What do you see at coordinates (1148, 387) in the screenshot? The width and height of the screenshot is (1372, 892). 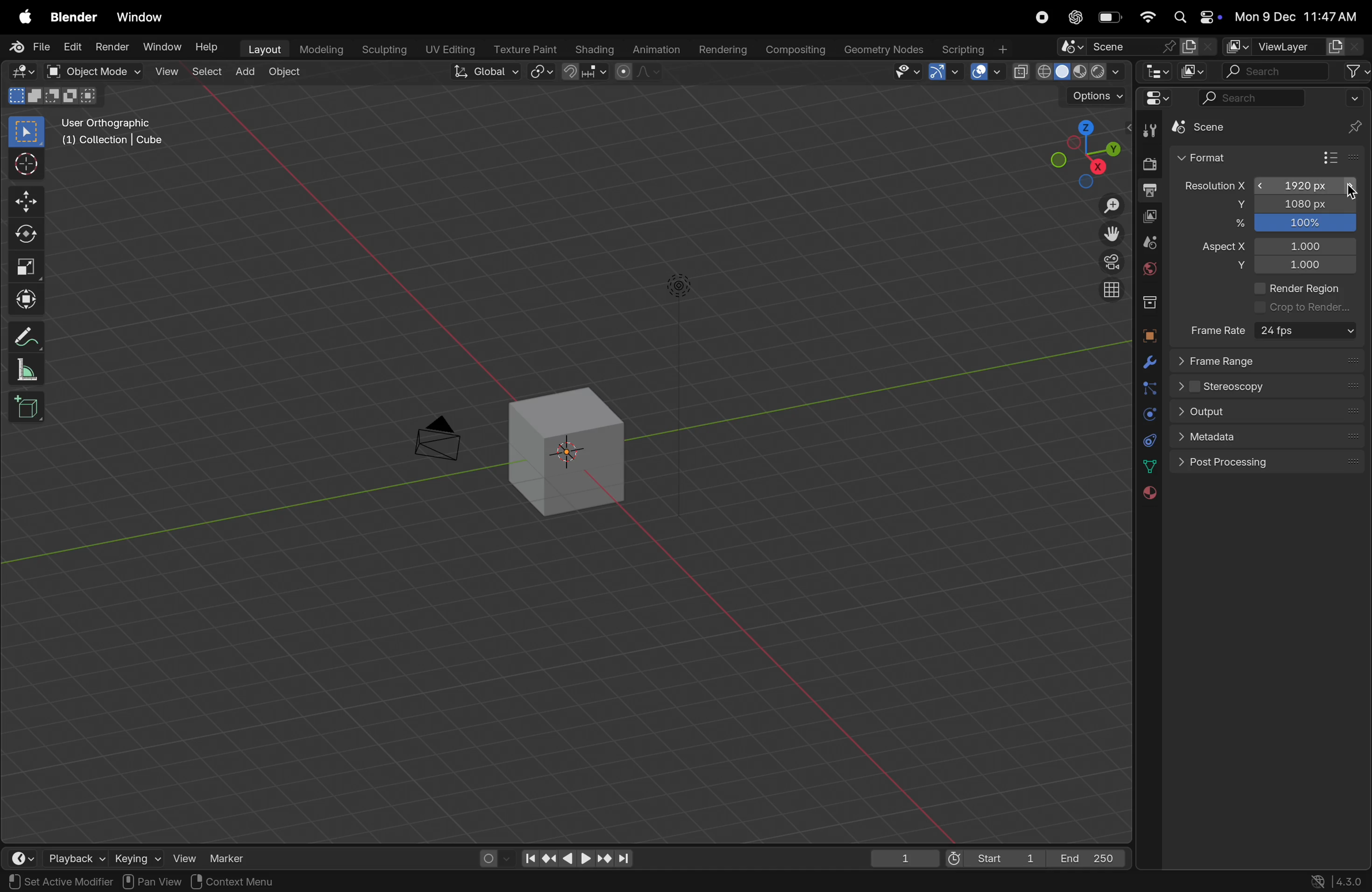 I see `particles` at bounding box center [1148, 387].